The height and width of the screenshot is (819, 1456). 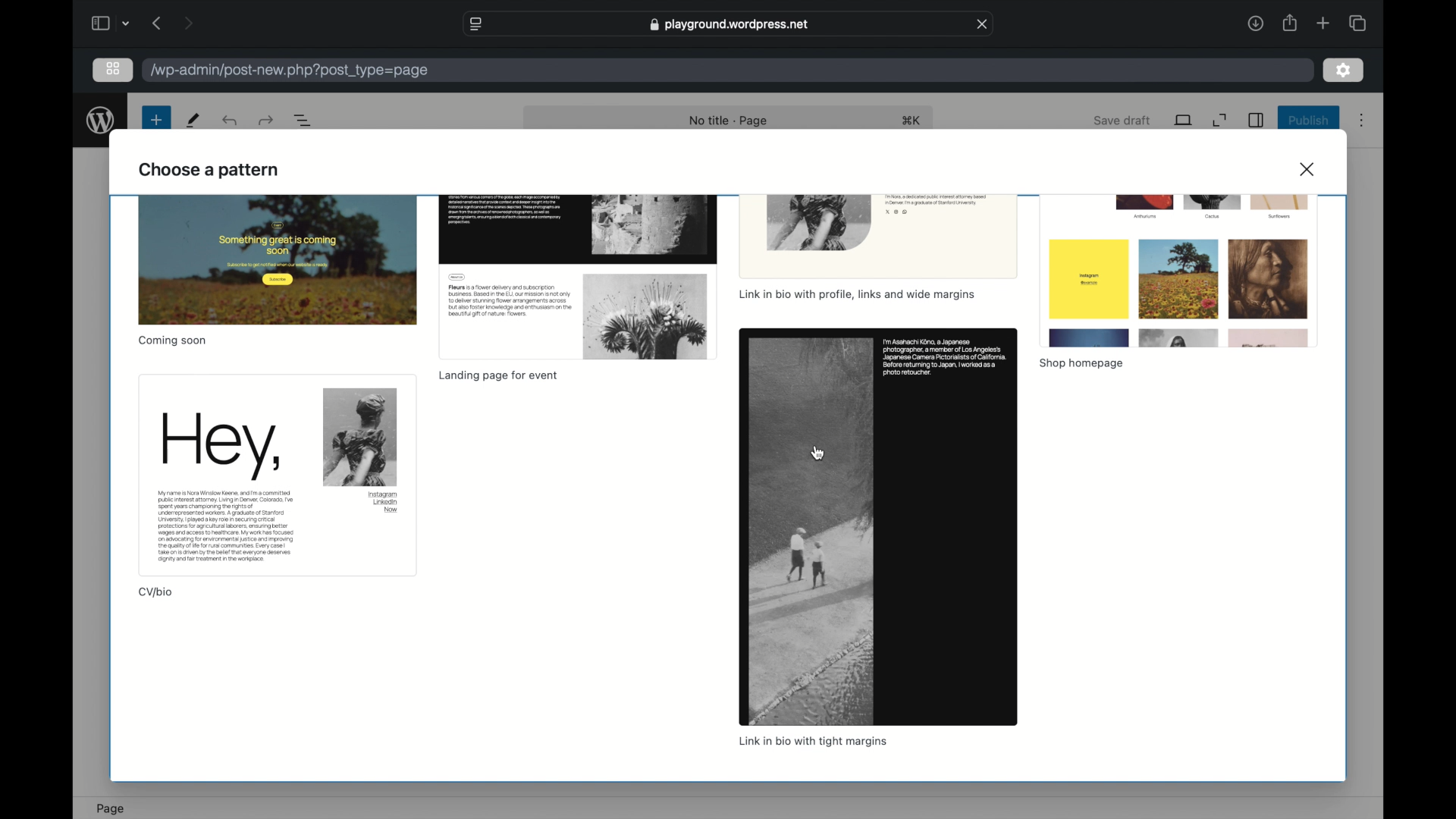 What do you see at coordinates (1256, 120) in the screenshot?
I see `sidebar` at bounding box center [1256, 120].